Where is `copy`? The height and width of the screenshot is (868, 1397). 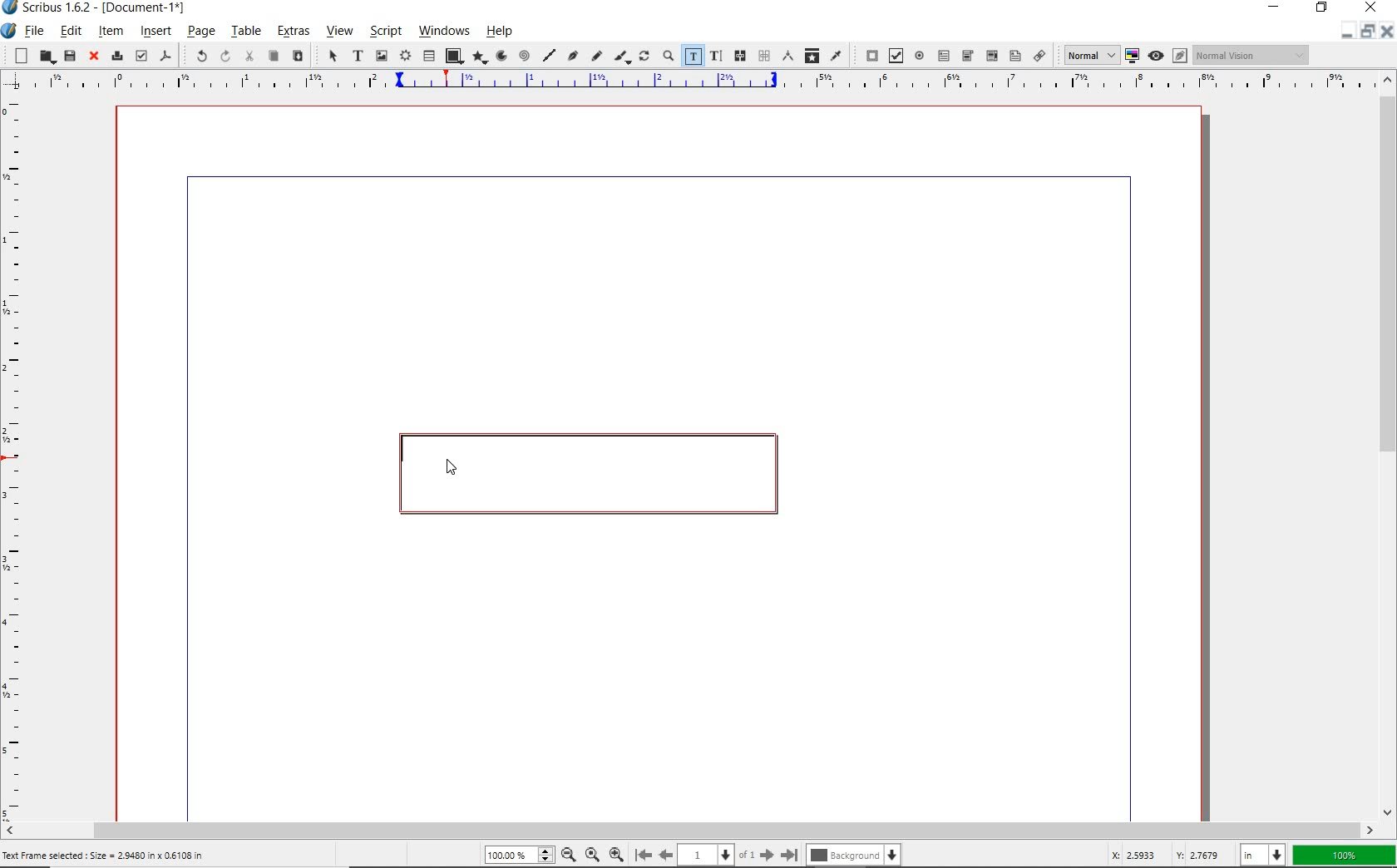 copy is located at coordinates (273, 57).